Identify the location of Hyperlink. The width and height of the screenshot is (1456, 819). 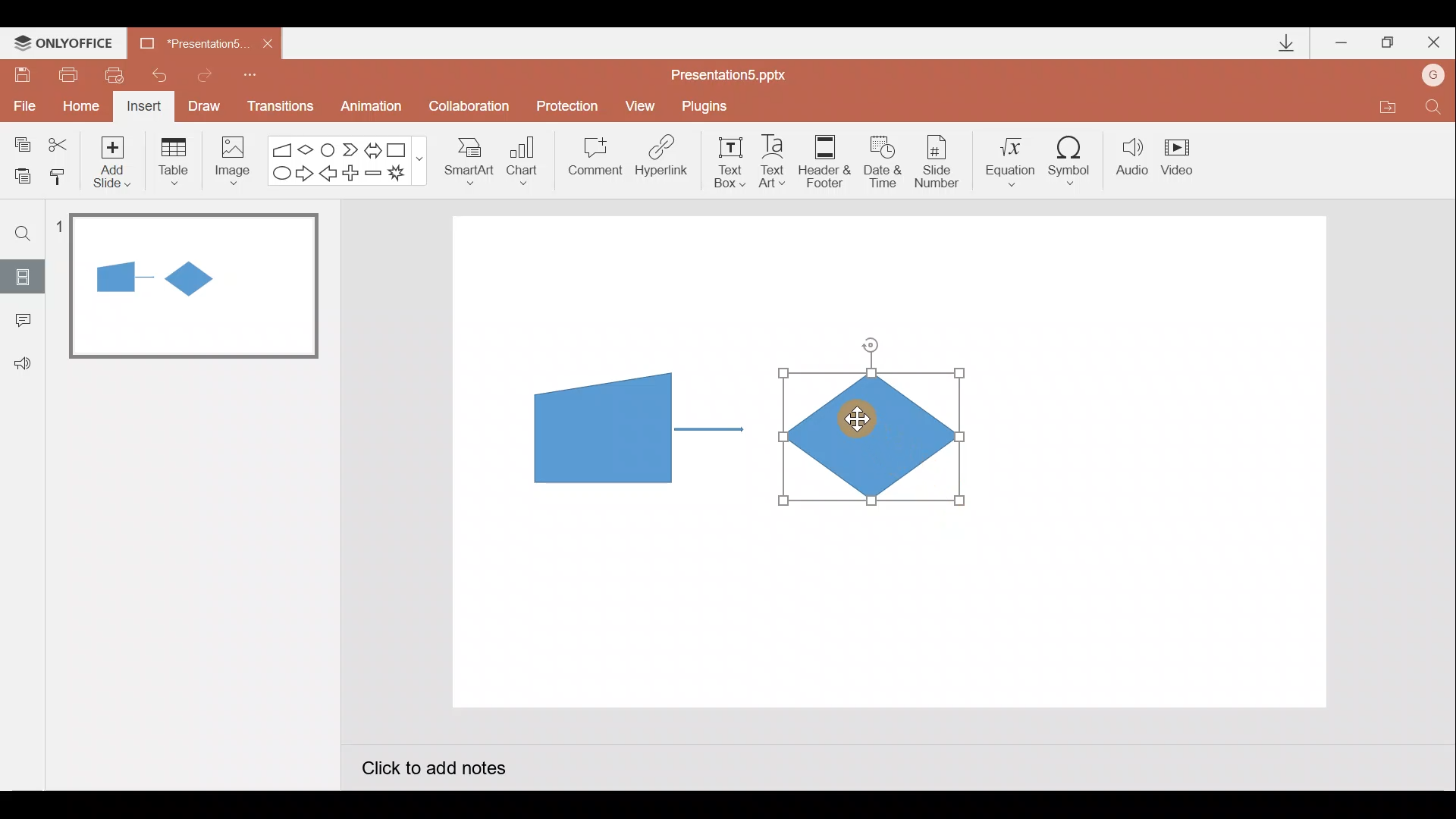
(663, 161).